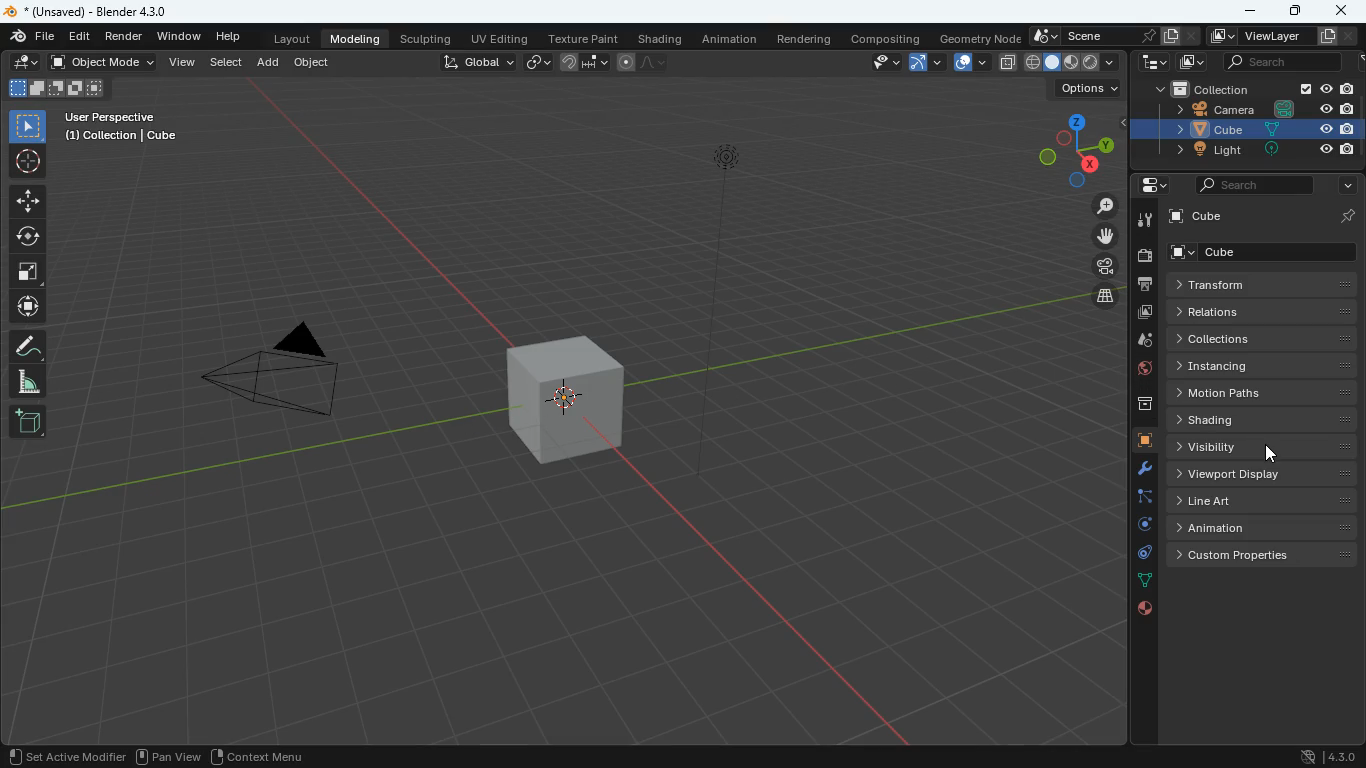  I want to click on draw, so click(26, 64).